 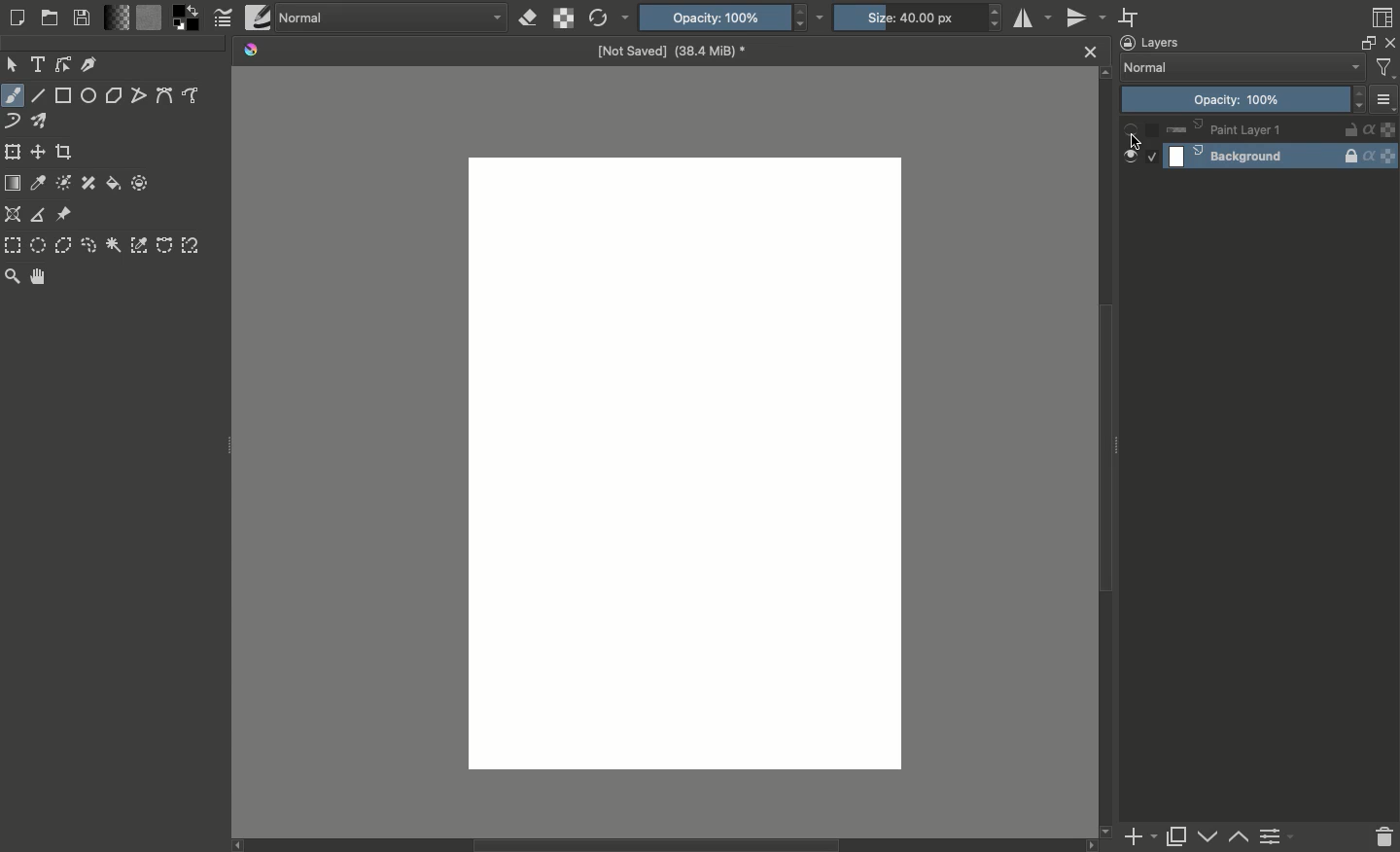 What do you see at coordinates (607, 19) in the screenshot?
I see `Reload original preset` at bounding box center [607, 19].